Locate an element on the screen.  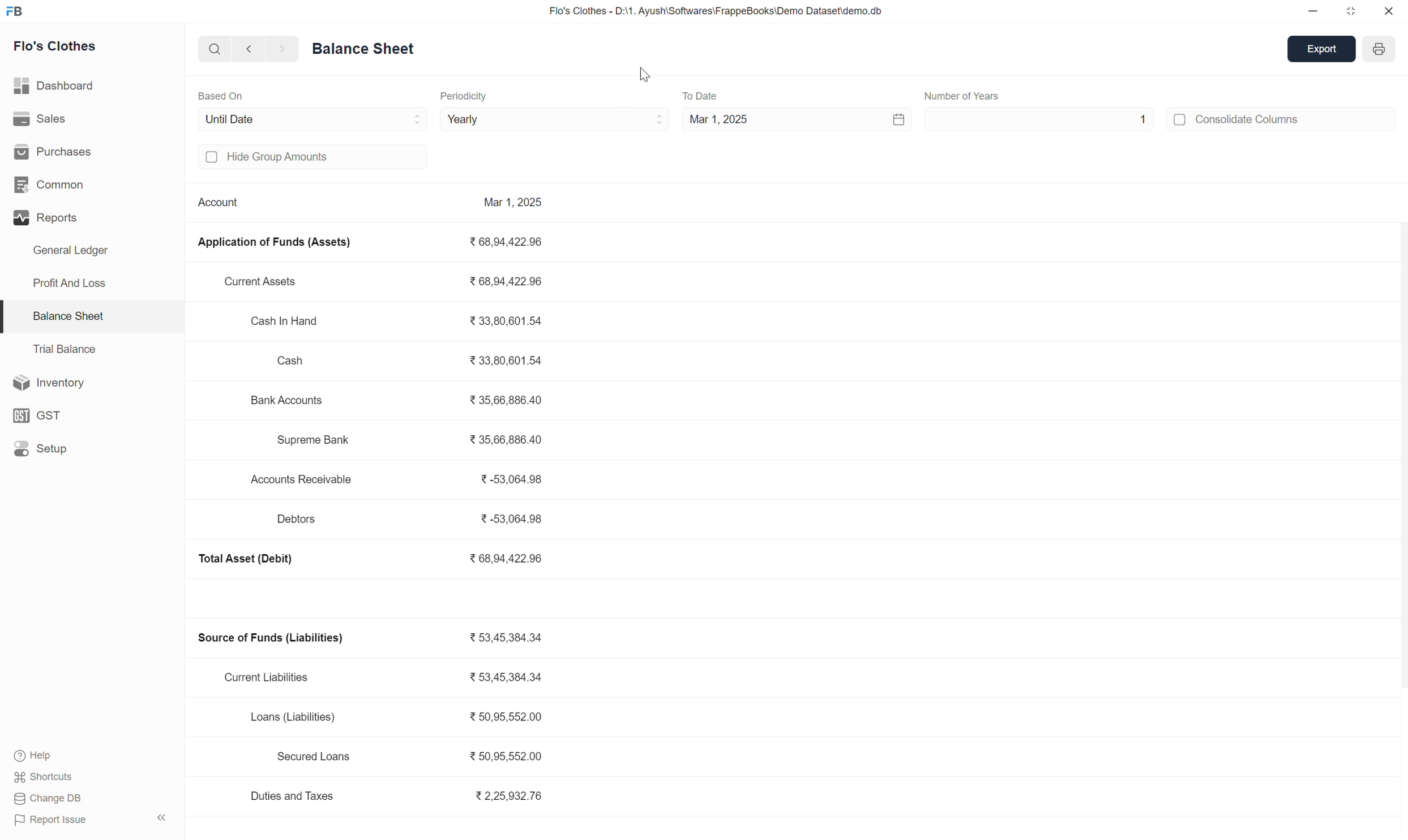
Shortcuts is located at coordinates (46, 777).